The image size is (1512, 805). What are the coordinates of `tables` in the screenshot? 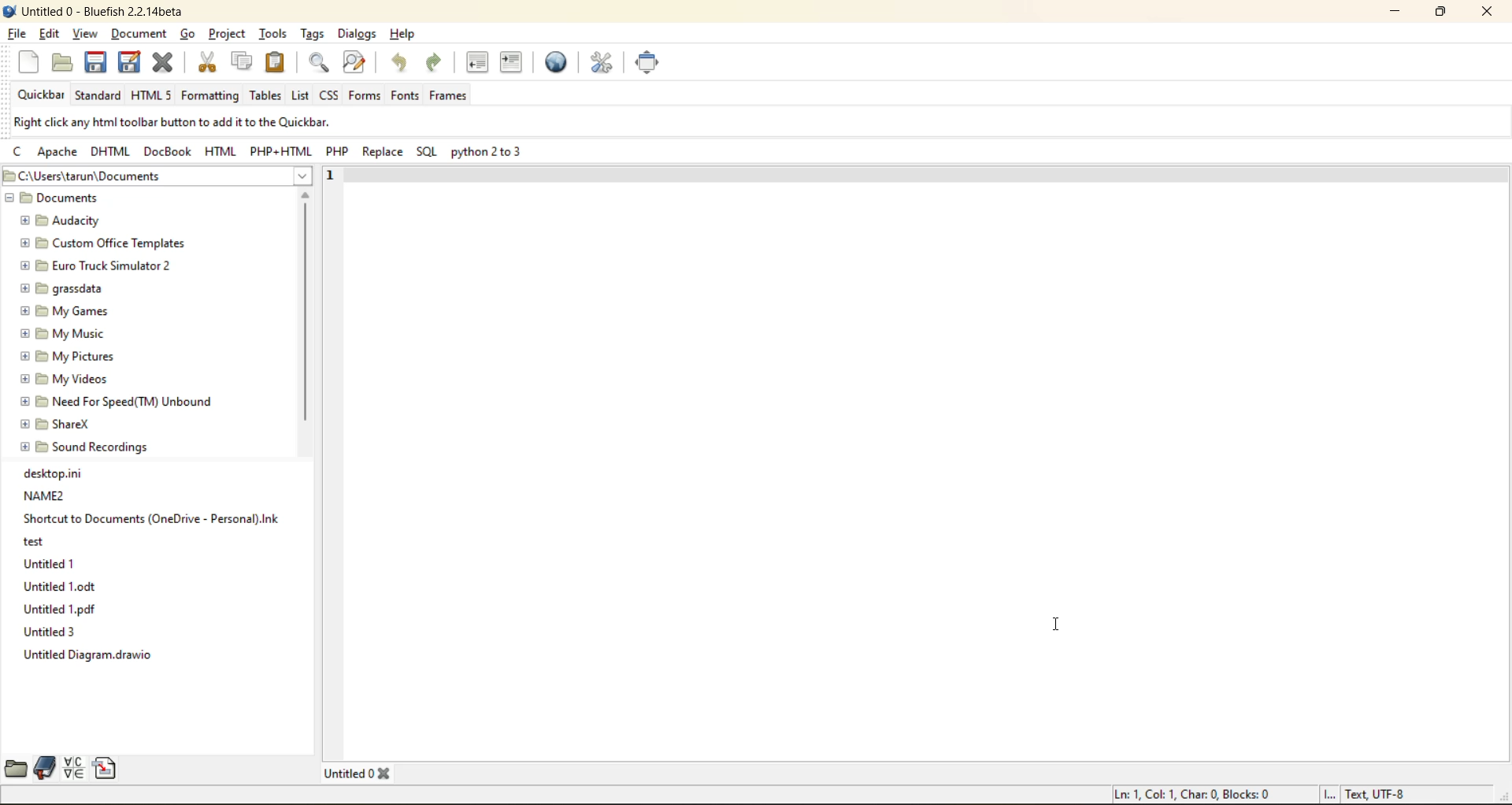 It's located at (265, 97).